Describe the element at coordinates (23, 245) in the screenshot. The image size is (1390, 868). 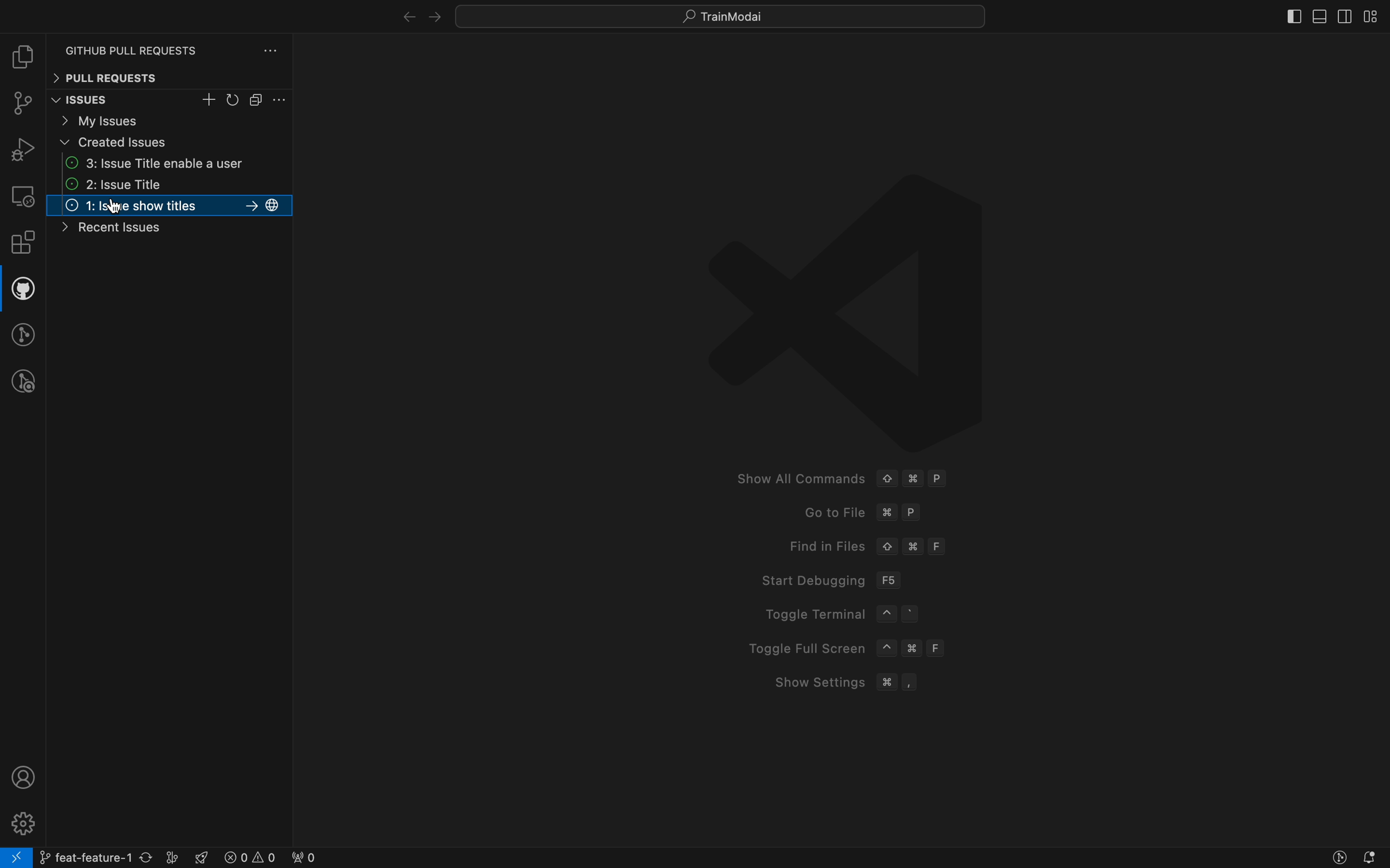
I see `Extensions` at that location.